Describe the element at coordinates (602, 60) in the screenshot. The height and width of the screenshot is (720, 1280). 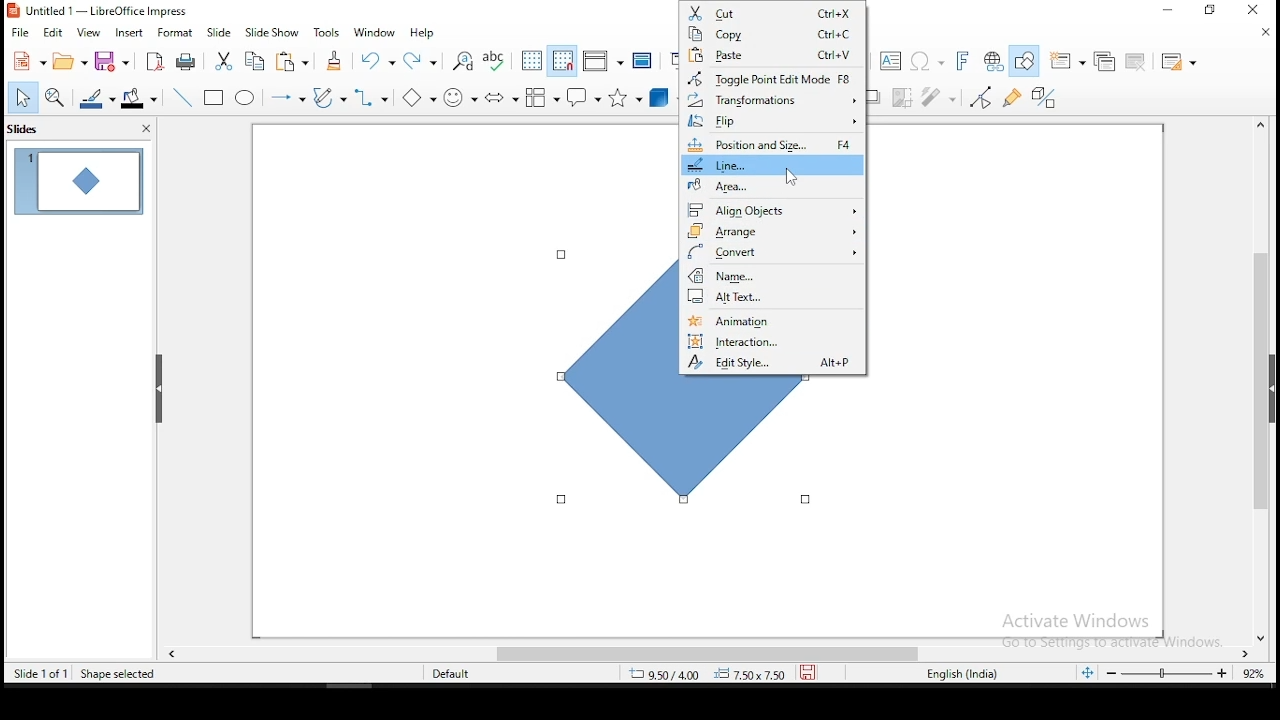
I see `display views` at that location.